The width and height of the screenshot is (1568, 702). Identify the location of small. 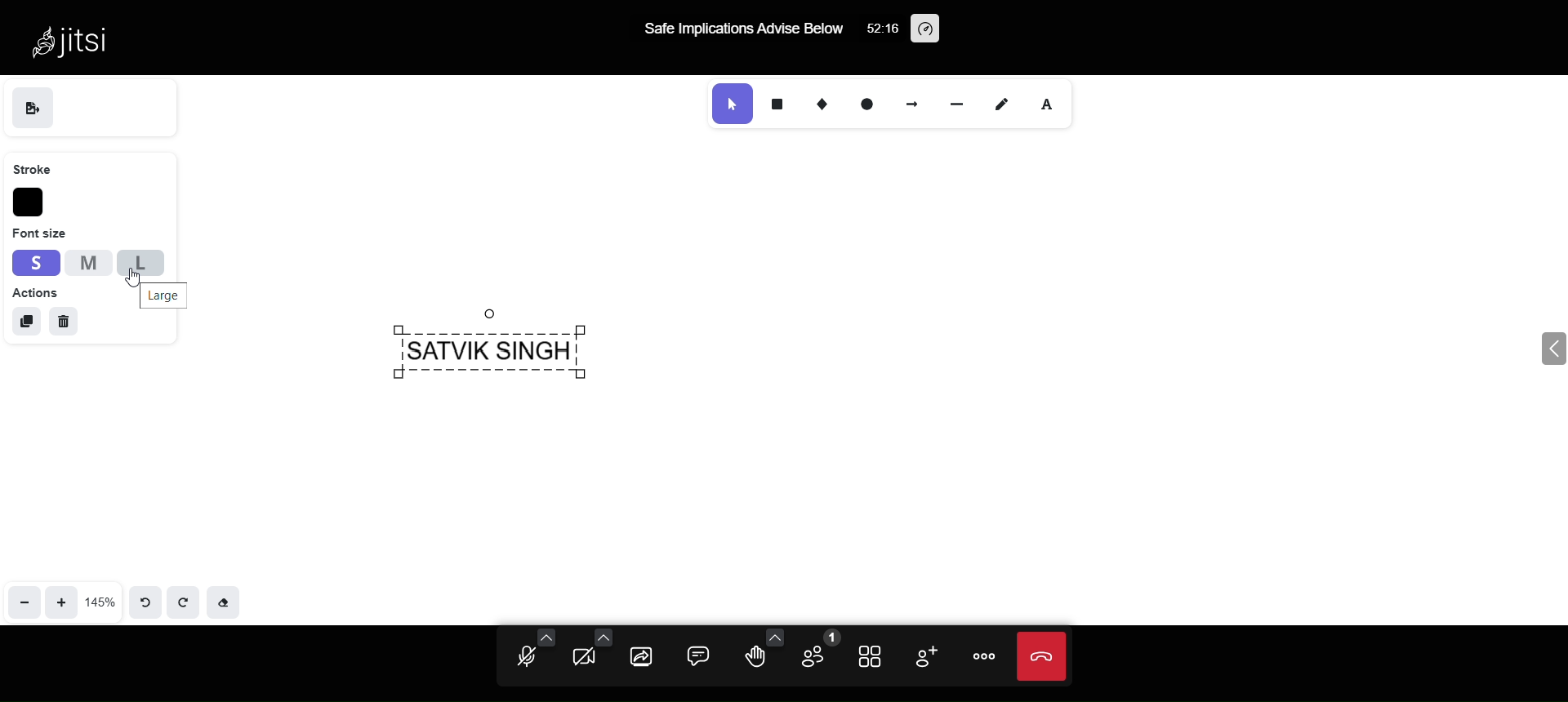
(36, 262).